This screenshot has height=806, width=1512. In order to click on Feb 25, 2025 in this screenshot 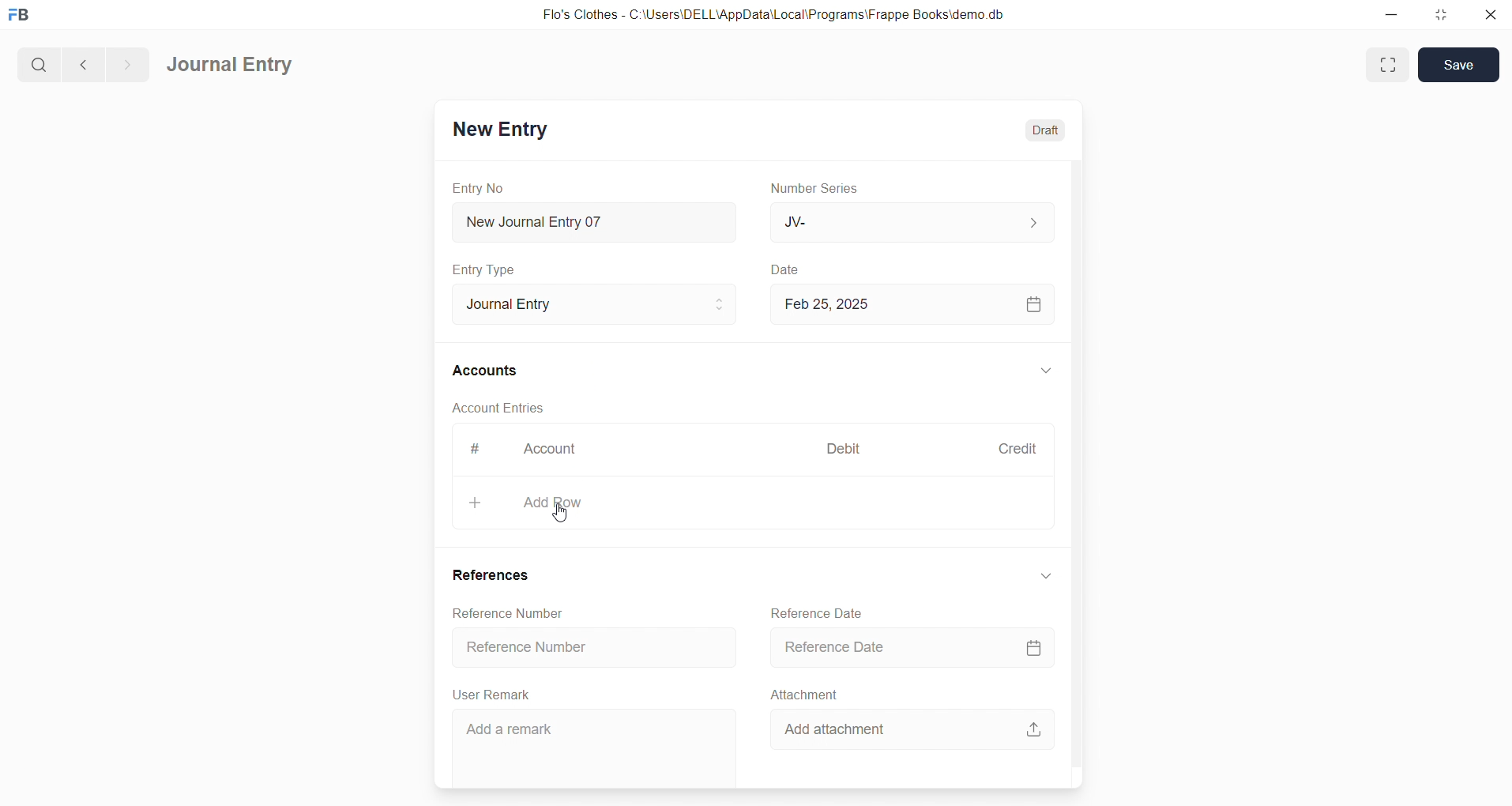, I will do `click(914, 304)`.